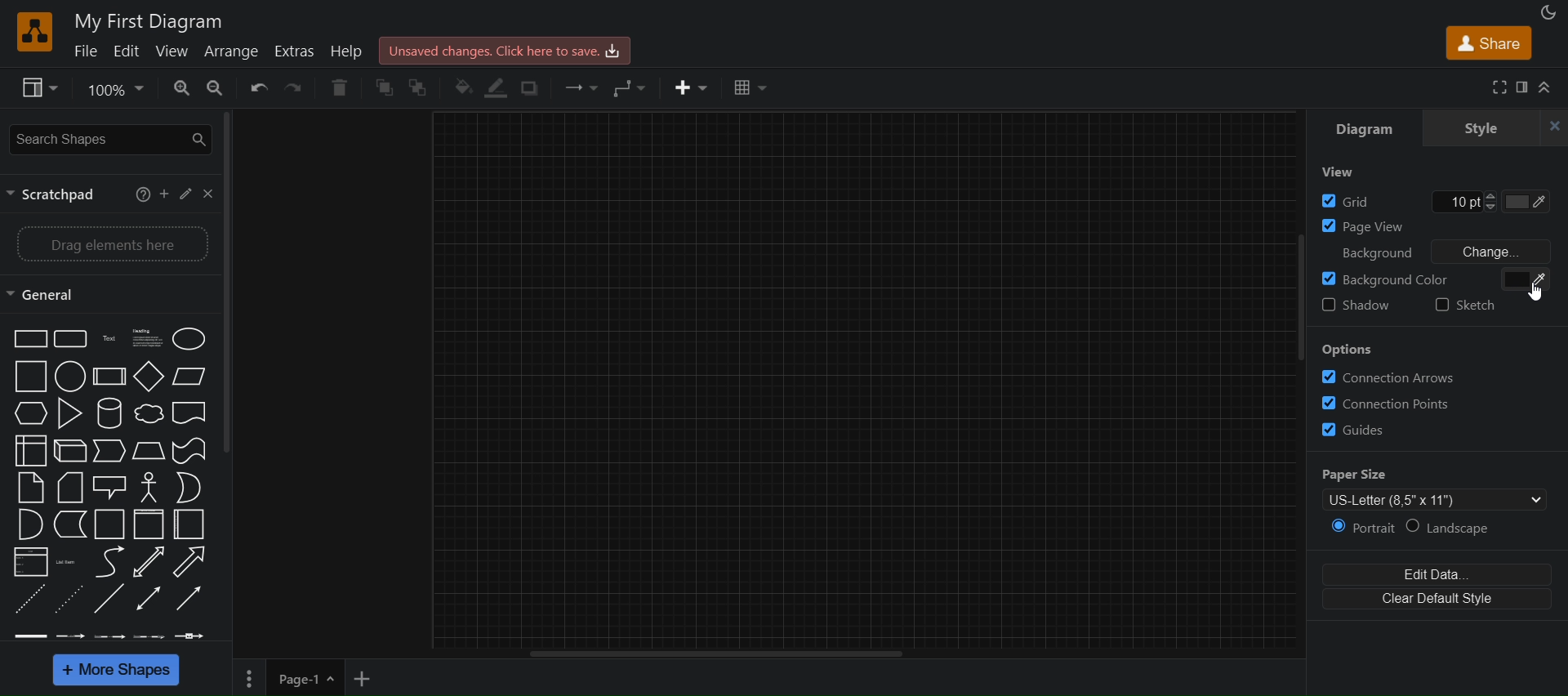 The width and height of the screenshot is (1568, 696). I want to click on arrange, so click(236, 53).